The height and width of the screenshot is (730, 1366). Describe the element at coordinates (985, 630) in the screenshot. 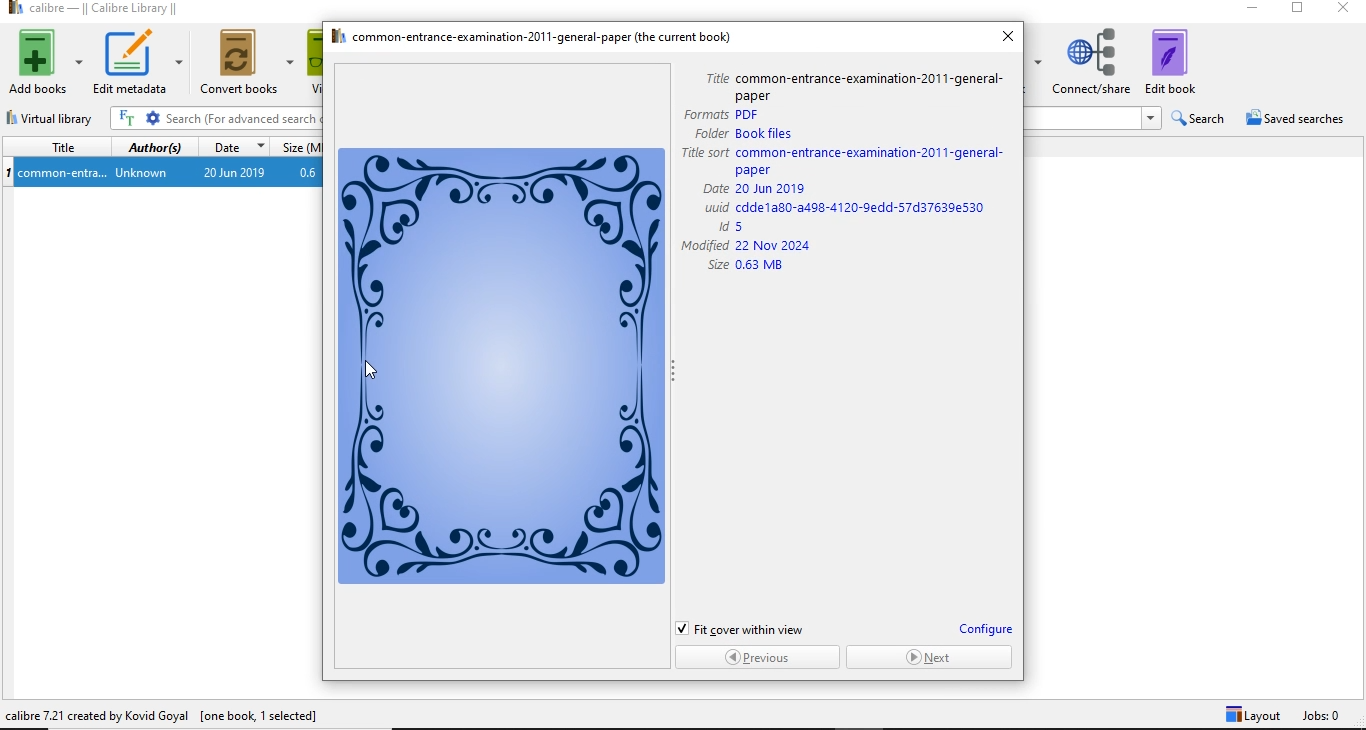

I see `configure` at that location.